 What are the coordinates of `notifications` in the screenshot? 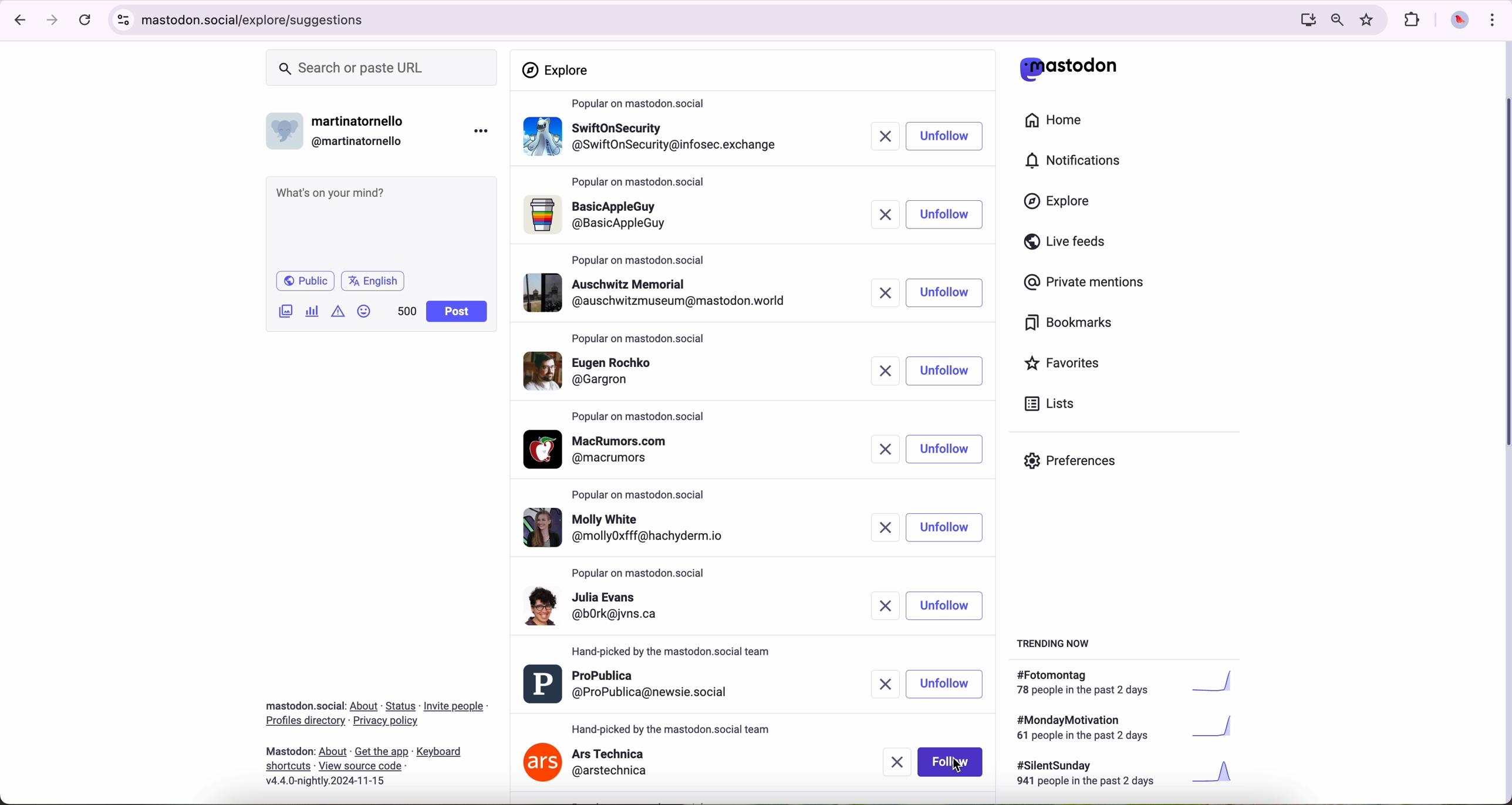 It's located at (1078, 161).